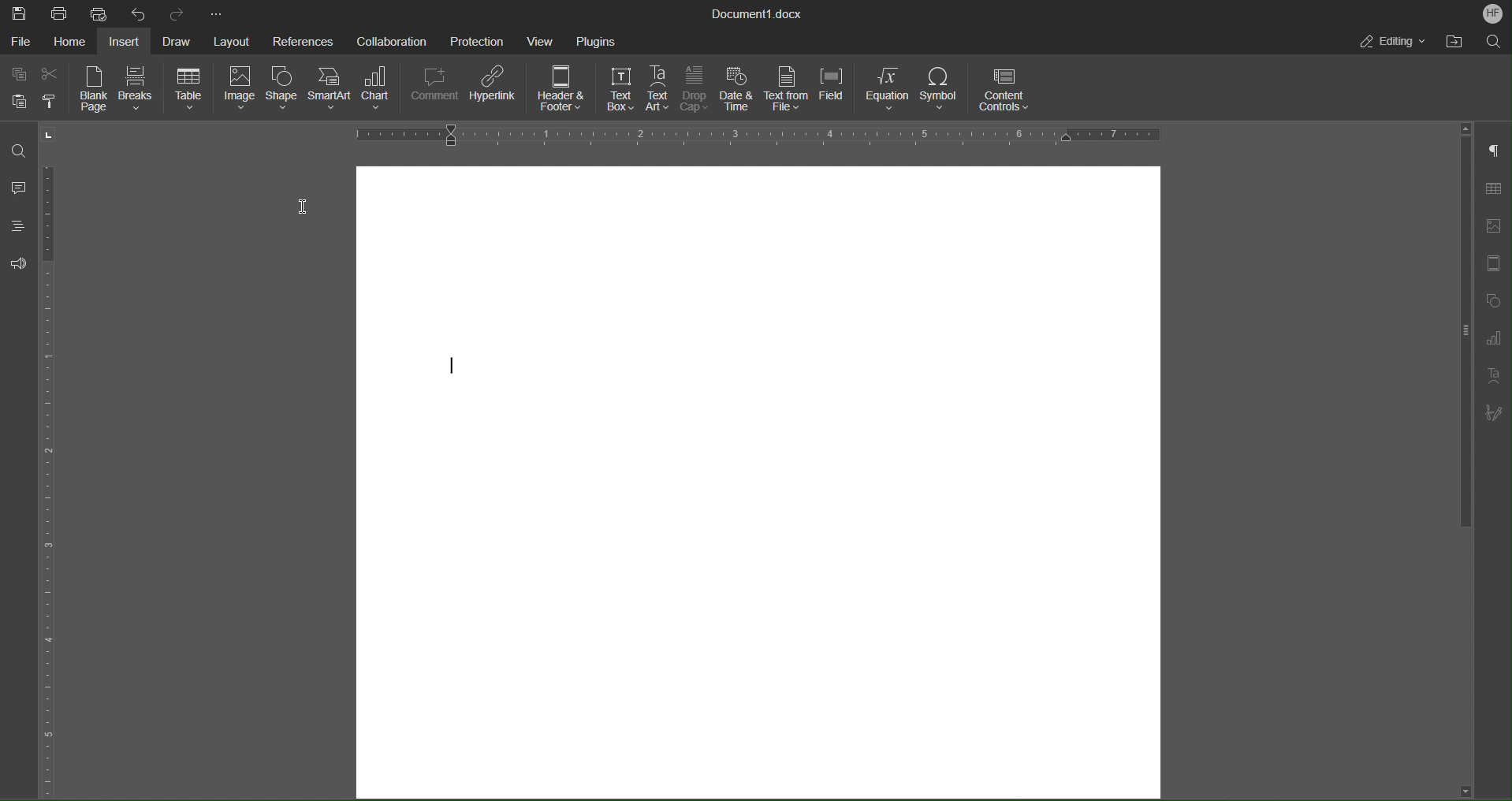 The image size is (1512, 801). Describe the element at coordinates (1392, 42) in the screenshot. I see `Editing` at that location.